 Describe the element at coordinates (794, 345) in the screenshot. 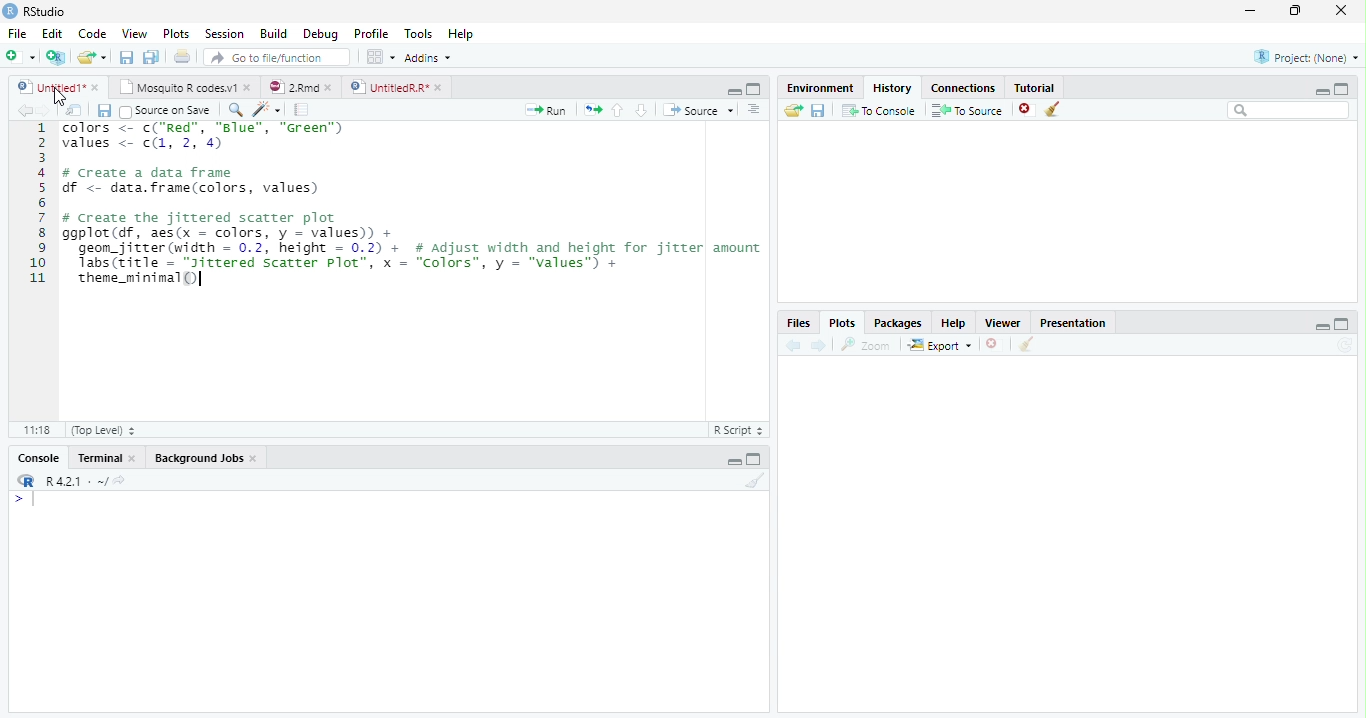

I see `Previous plot` at that location.